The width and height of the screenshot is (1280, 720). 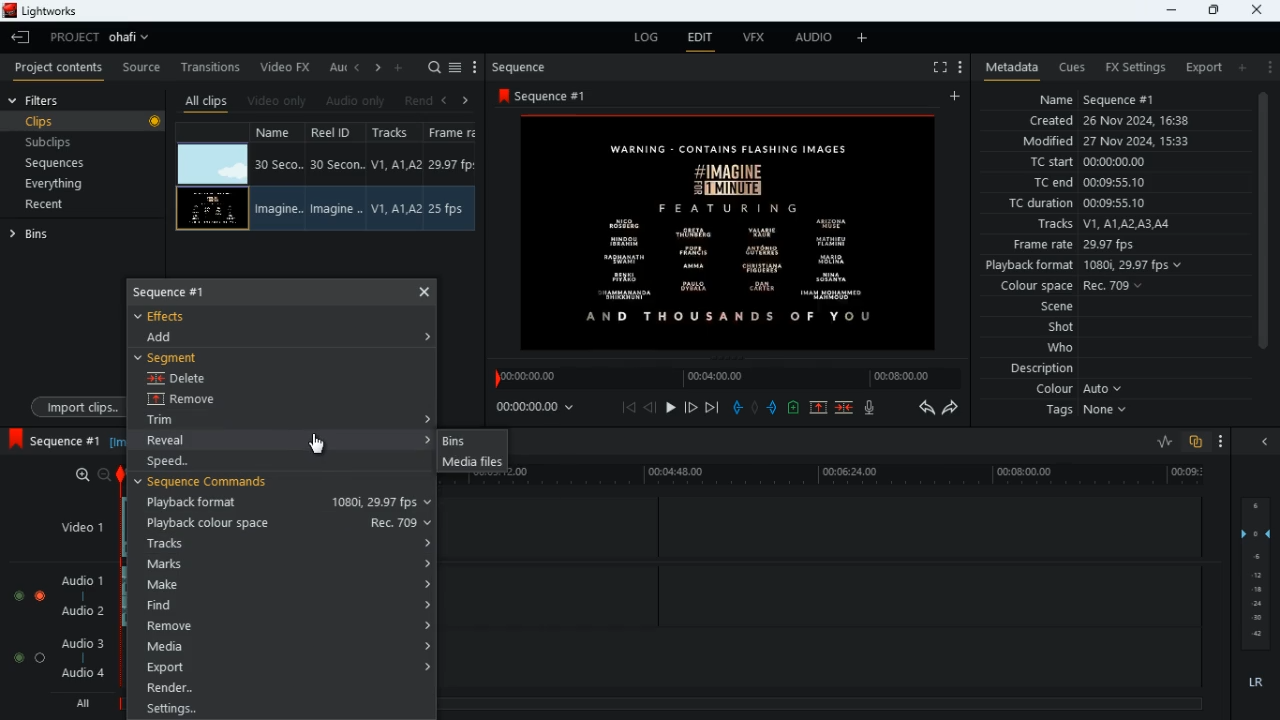 I want to click on transitions, so click(x=213, y=63).